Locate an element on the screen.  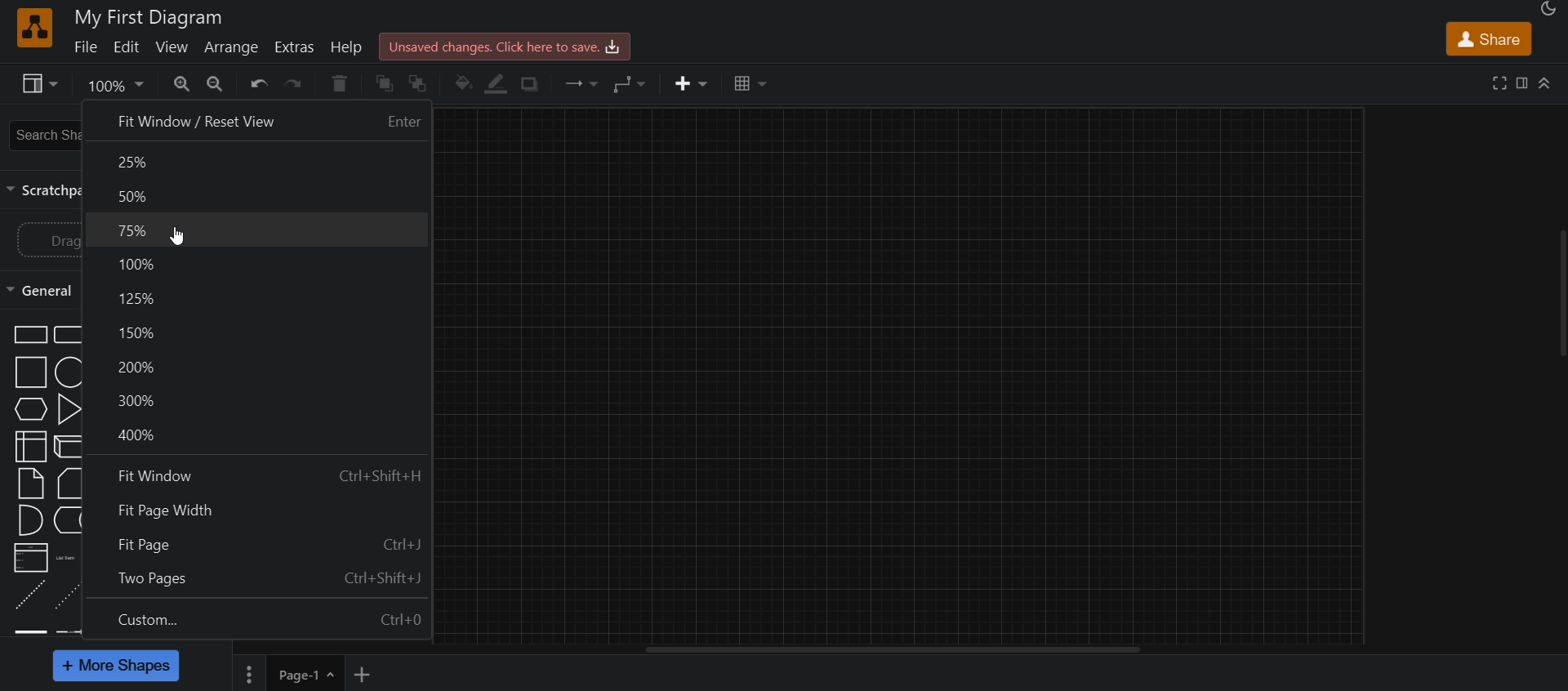
75% is located at coordinates (258, 231).